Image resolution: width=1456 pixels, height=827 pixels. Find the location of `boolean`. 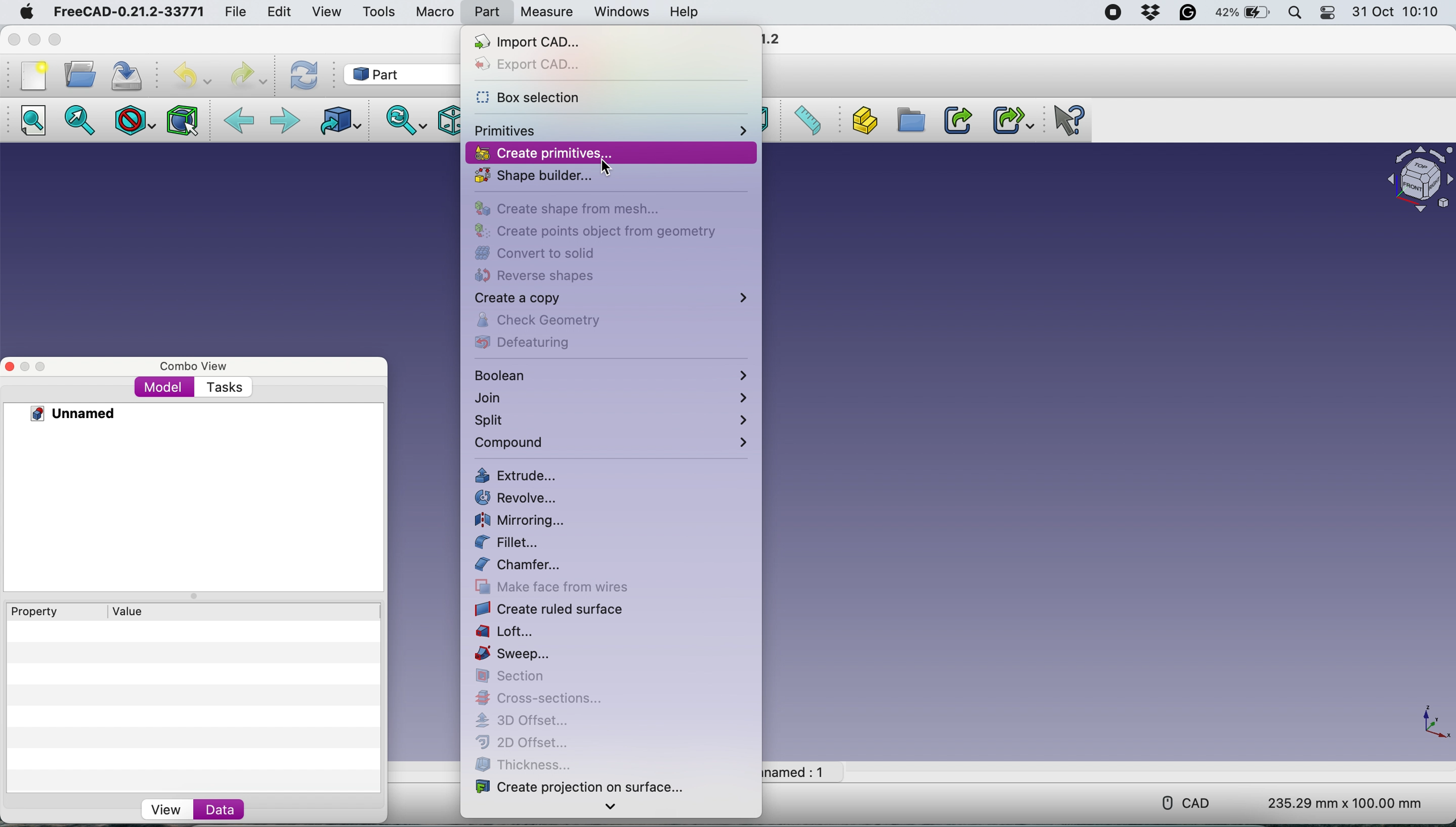

boolean is located at coordinates (614, 374).